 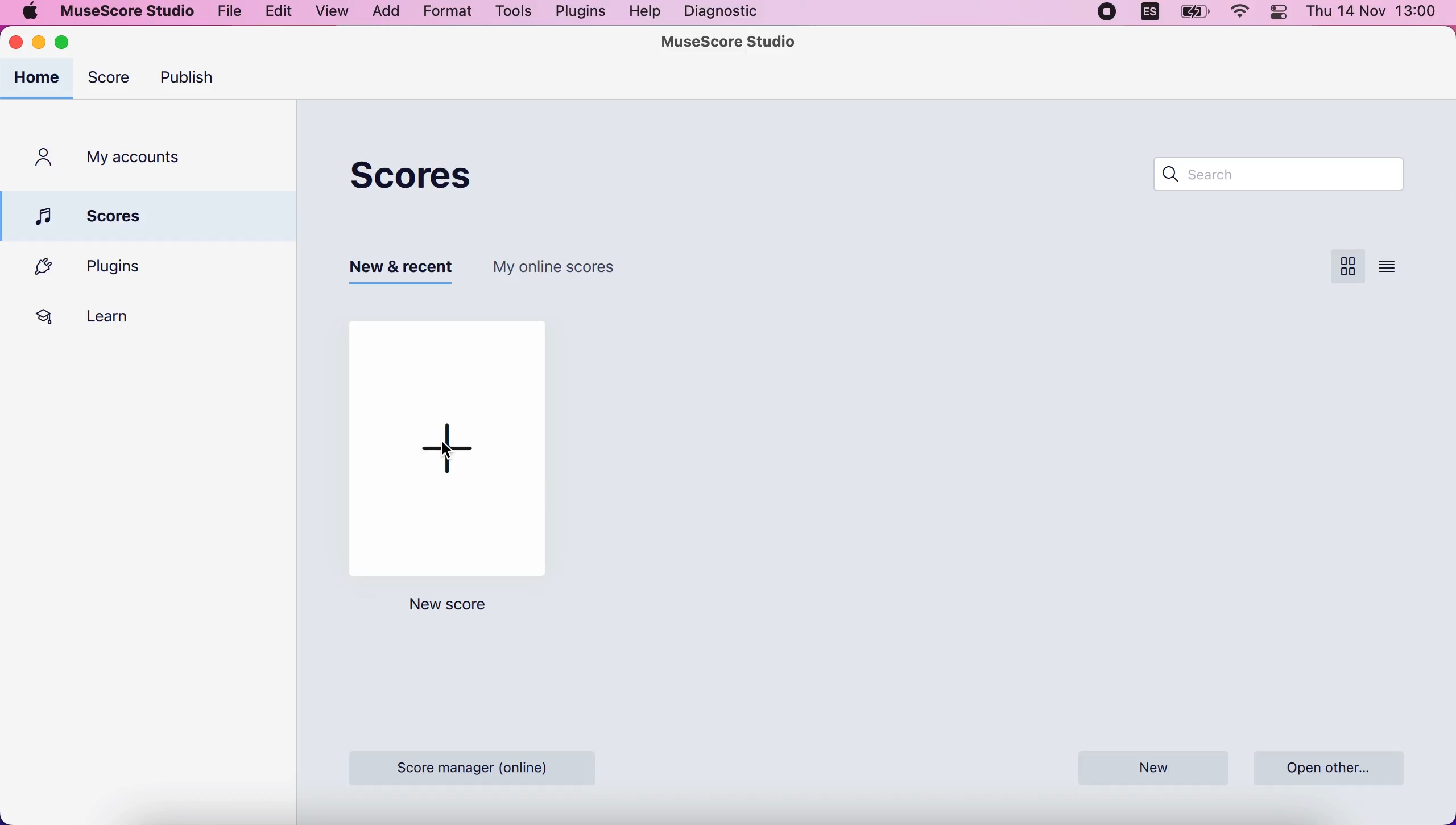 What do you see at coordinates (39, 79) in the screenshot?
I see `home` at bounding box center [39, 79].